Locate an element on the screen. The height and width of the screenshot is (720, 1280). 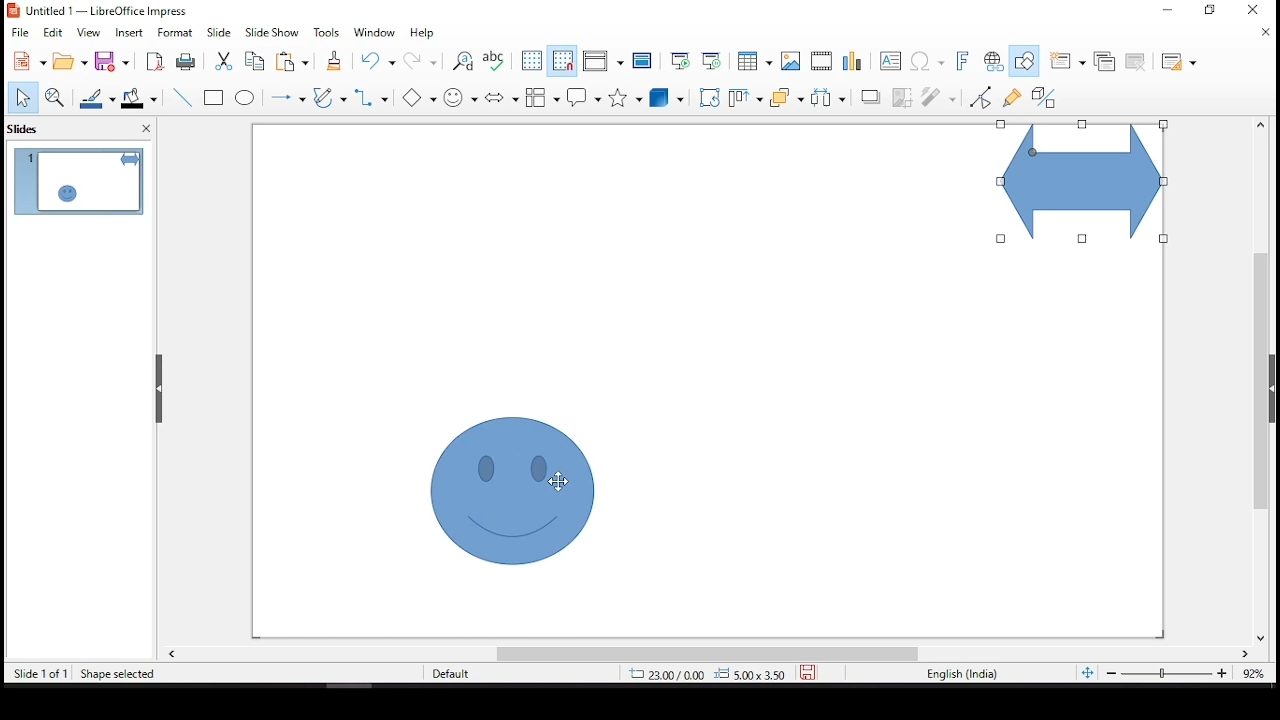
start from current slide is located at coordinates (711, 59).